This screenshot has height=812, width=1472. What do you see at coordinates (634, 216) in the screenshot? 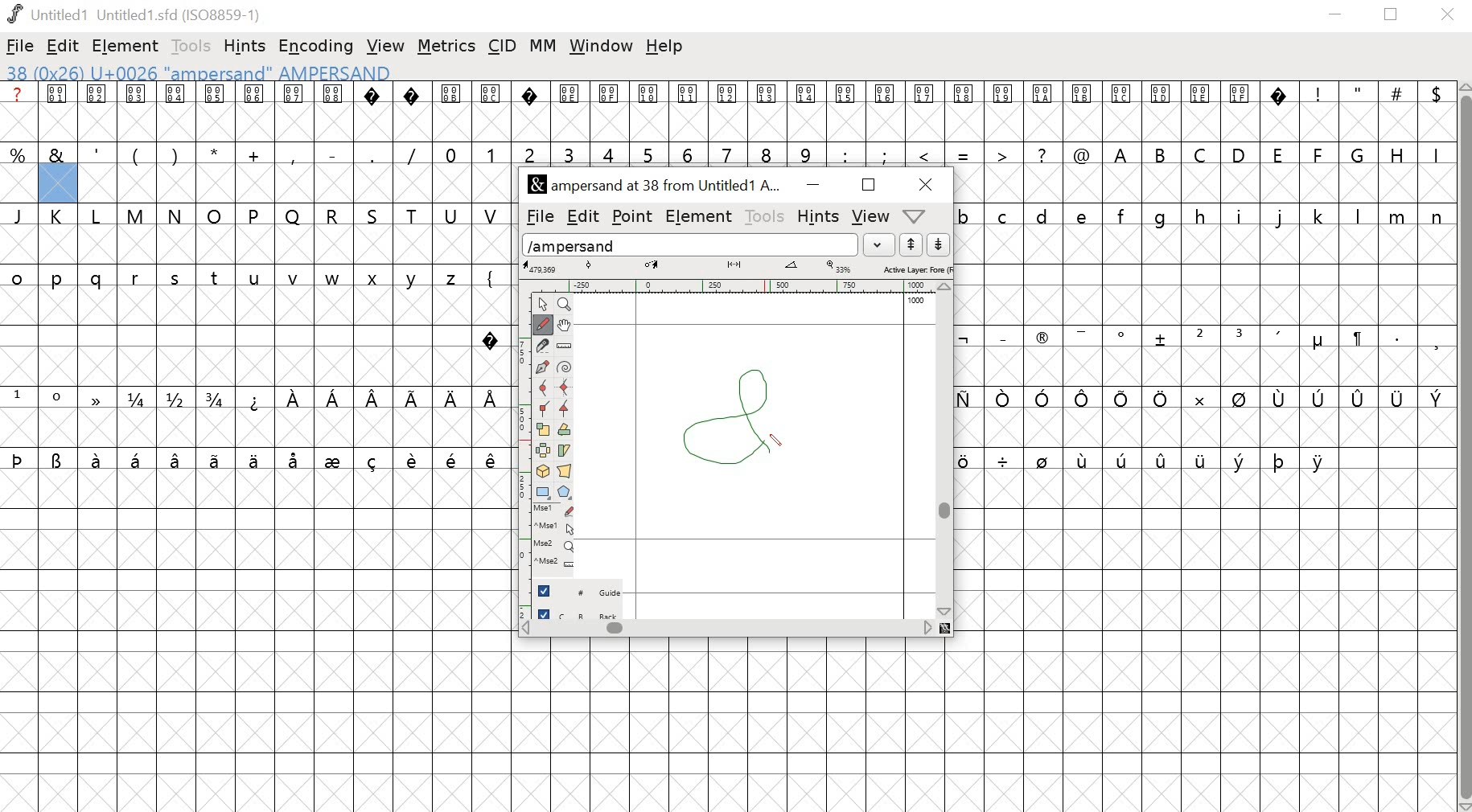
I see `point` at bounding box center [634, 216].